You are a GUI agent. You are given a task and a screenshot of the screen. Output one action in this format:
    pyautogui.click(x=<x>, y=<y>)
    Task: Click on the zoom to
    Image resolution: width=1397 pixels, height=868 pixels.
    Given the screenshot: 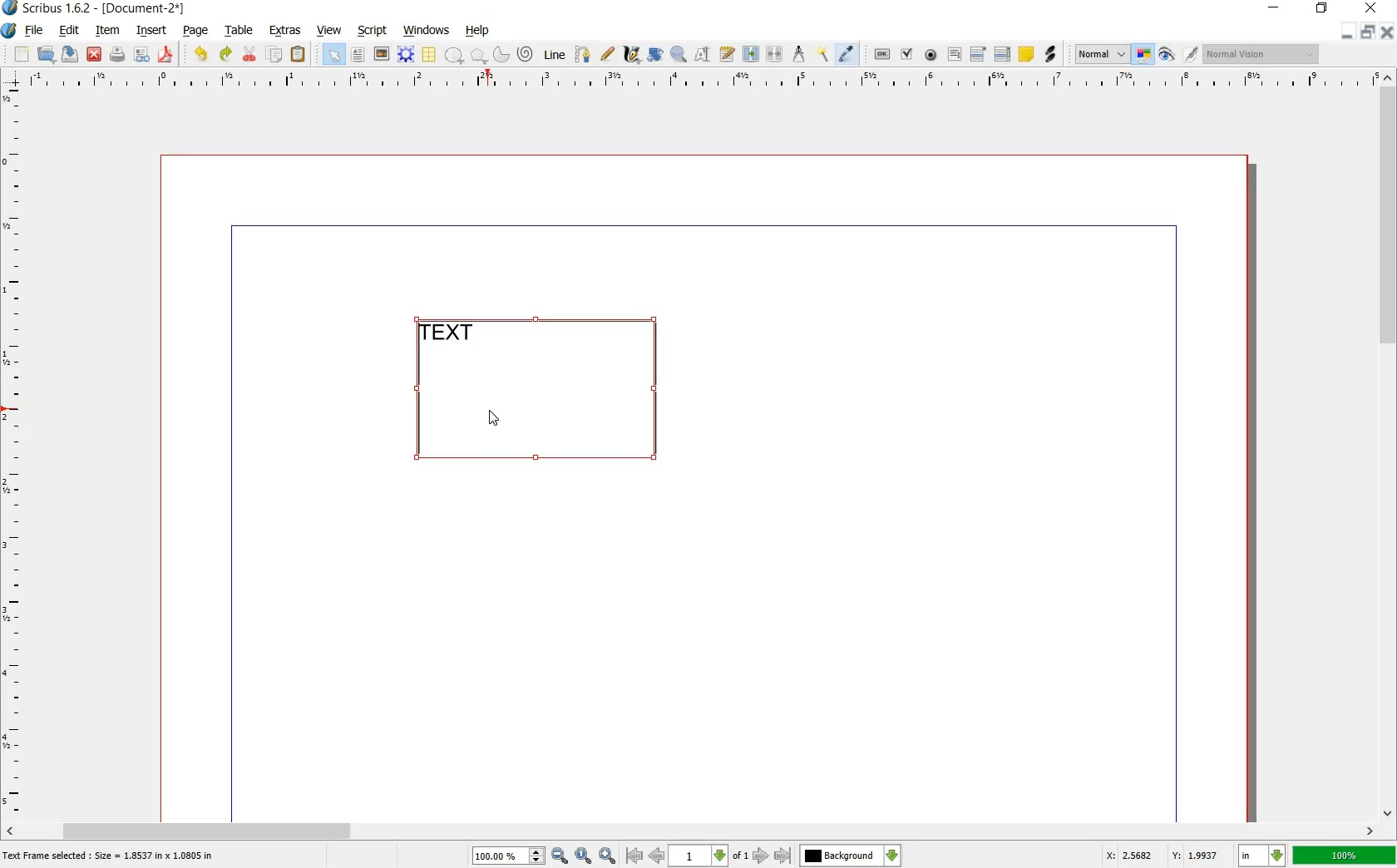 What is the action you would take?
    pyautogui.click(x=584, y=856)
    